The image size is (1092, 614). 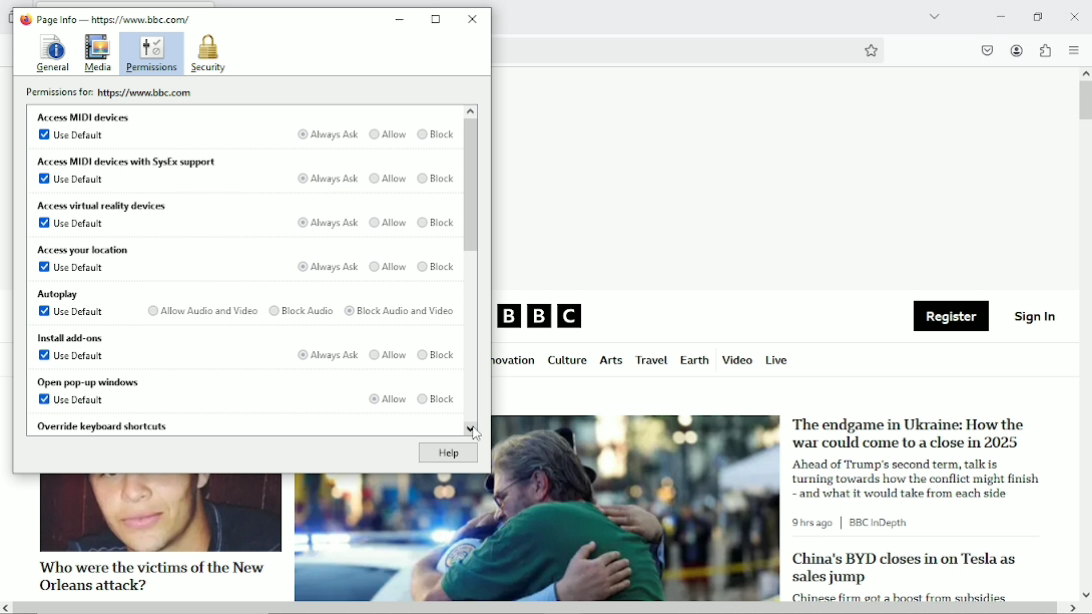 What do you see at coordinates (77, 354) in the screenshot?
I see `Use Default` at bounding box center [77, 354].